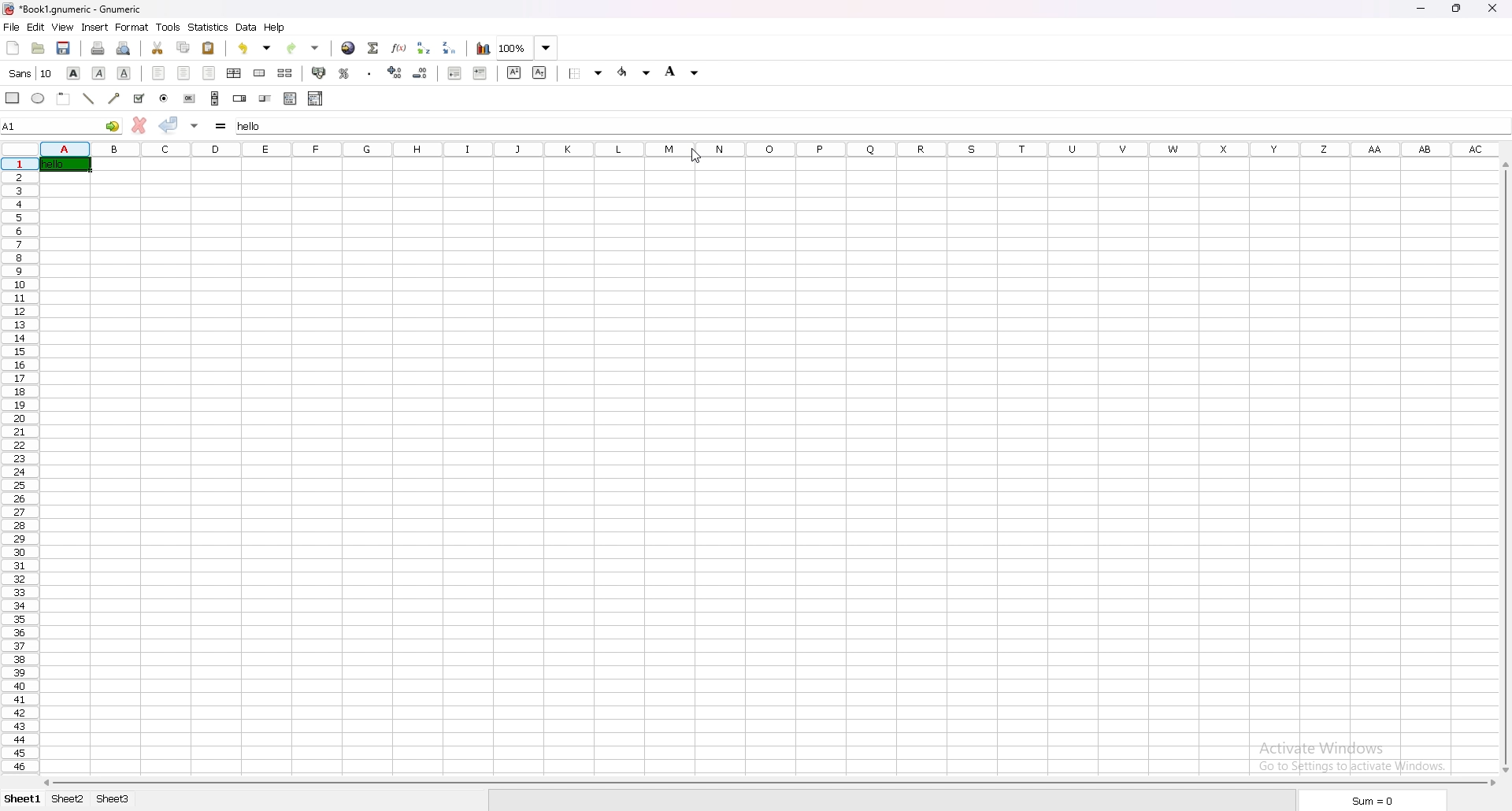 The image size is (1512, 811). Describe the element at coordinates (1492, 9) in the screenshot. I see `close` at that location.